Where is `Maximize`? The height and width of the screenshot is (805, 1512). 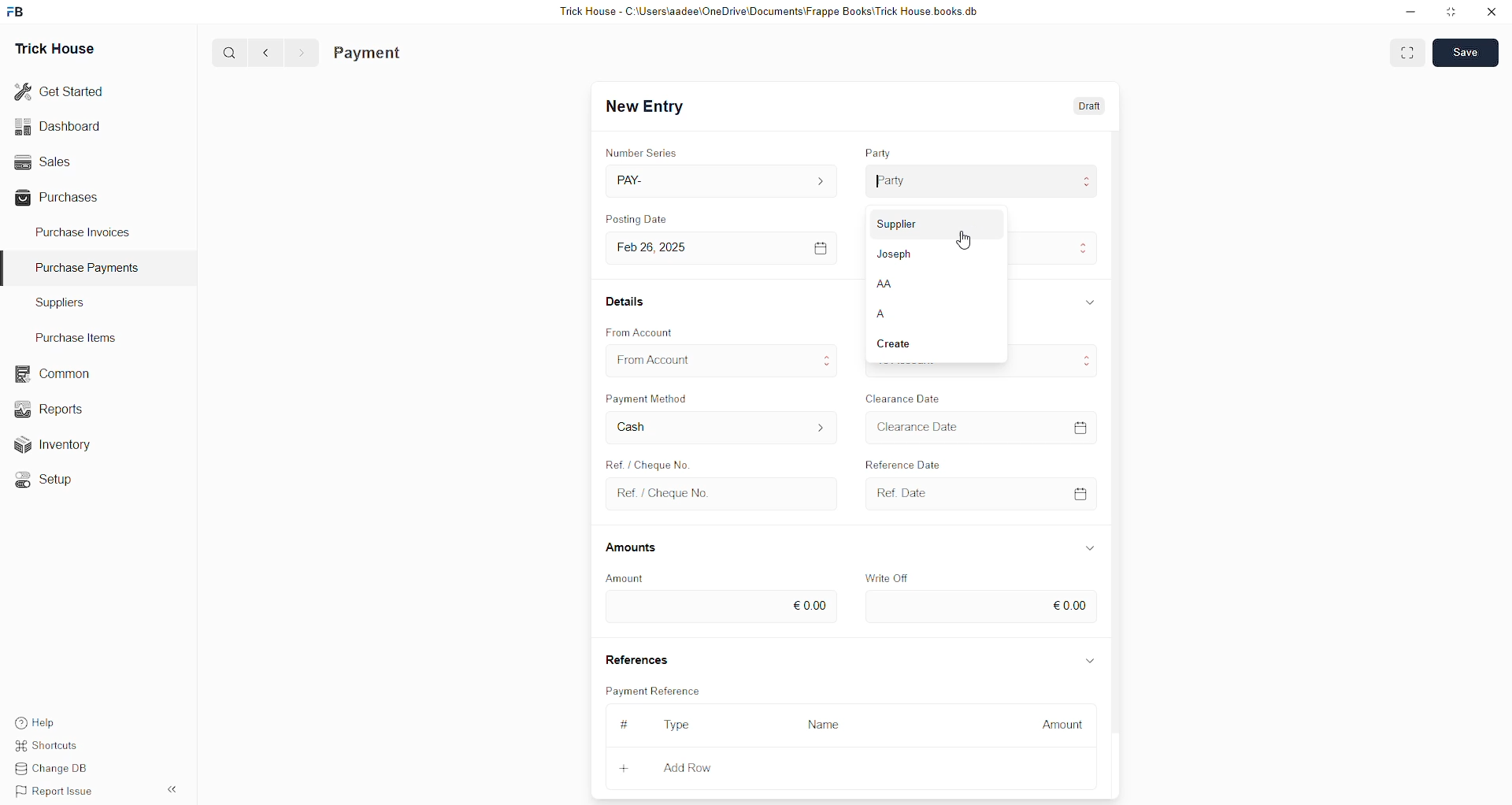
Maximize is located at coordinates (1452, 15).